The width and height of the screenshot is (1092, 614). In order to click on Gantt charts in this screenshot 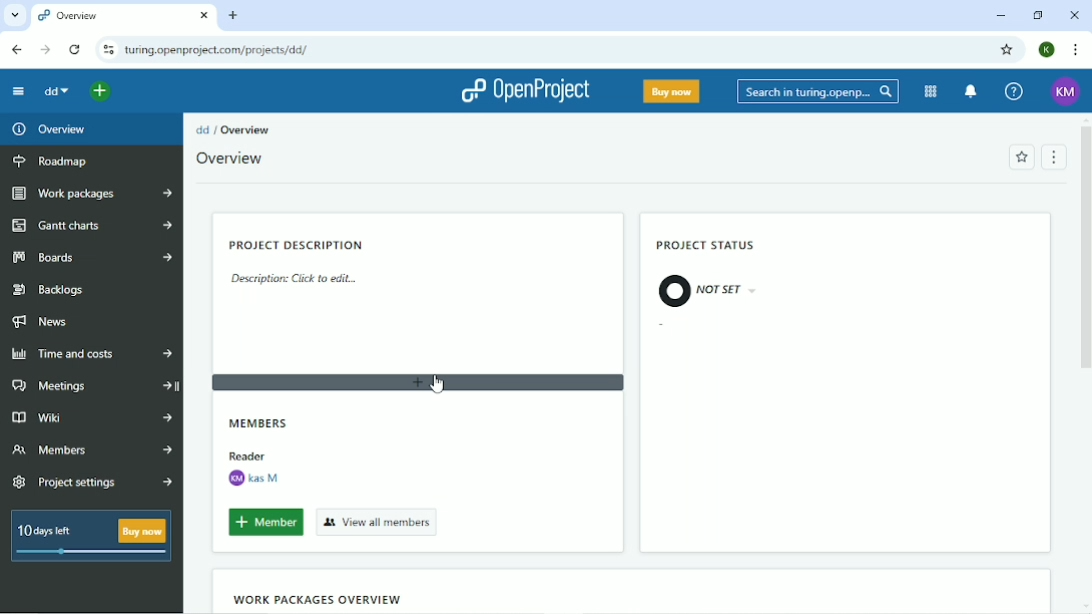, I will do `click(93, 227)`.